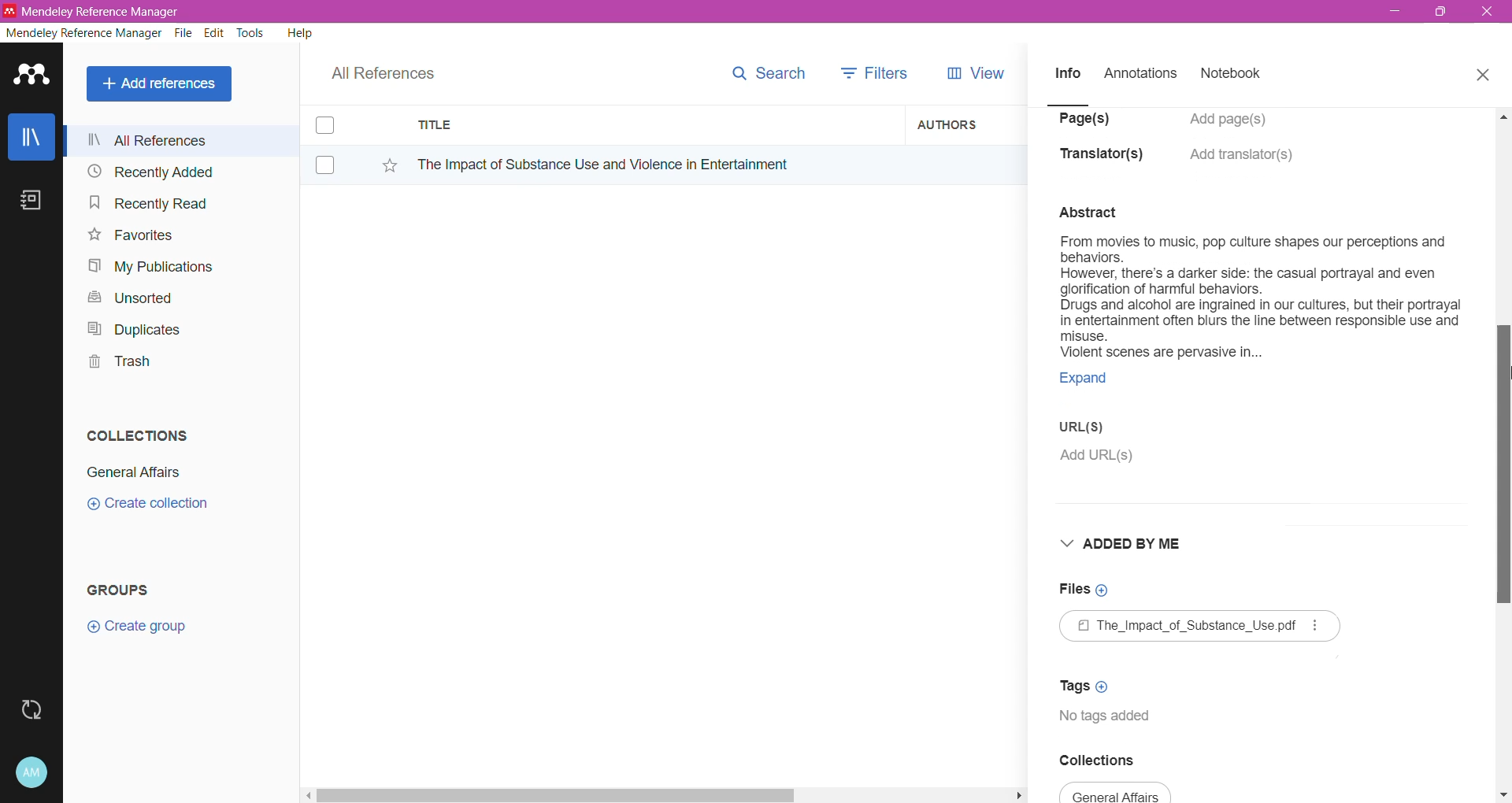 This screenshot has width=1512, height=803. What do you see at coordinates (129, 235) in the screenshot?
I see `Favorites` at bounding box center [129, 235].